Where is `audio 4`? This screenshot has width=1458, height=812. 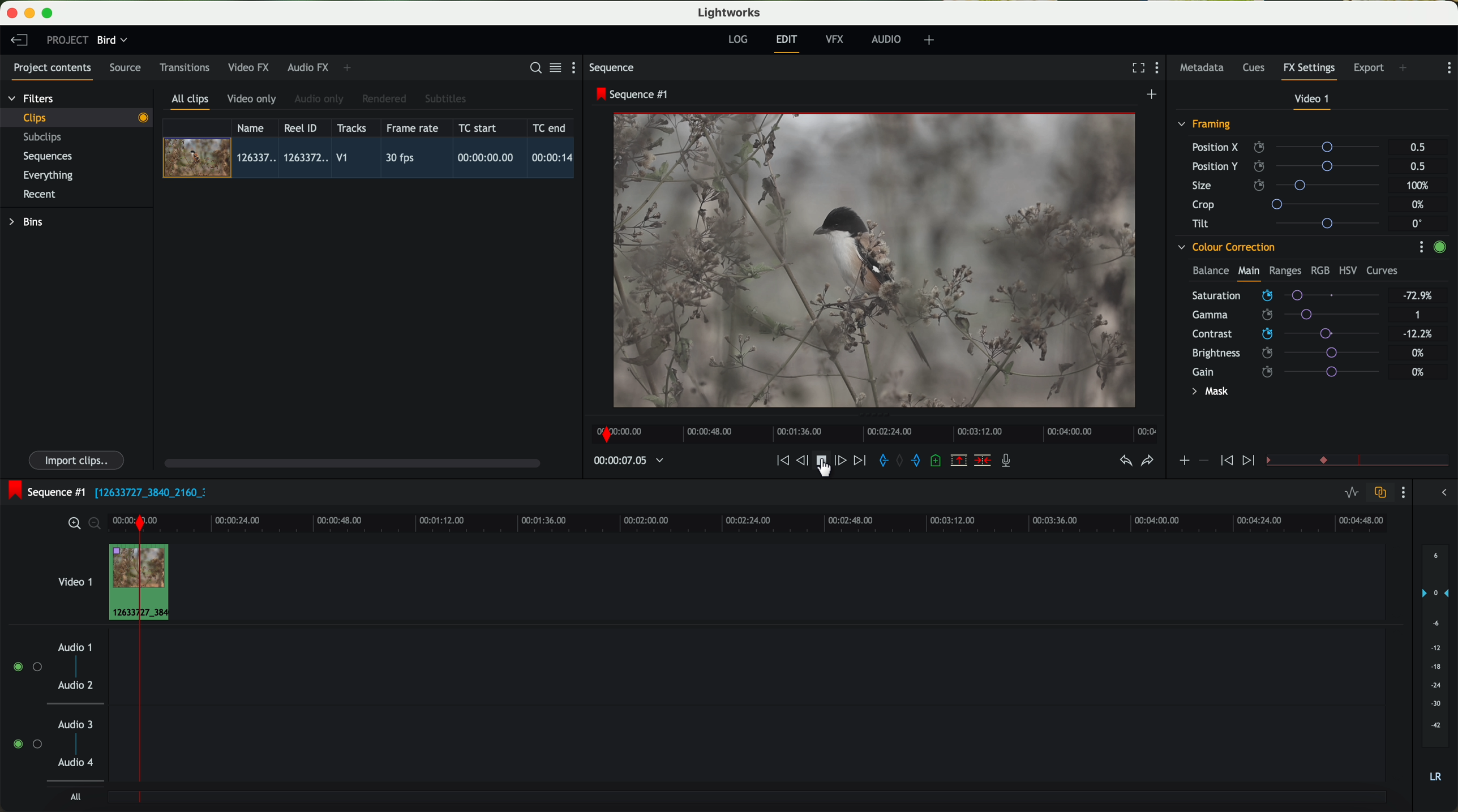 audio 4 is located at coordinates (76, 763).